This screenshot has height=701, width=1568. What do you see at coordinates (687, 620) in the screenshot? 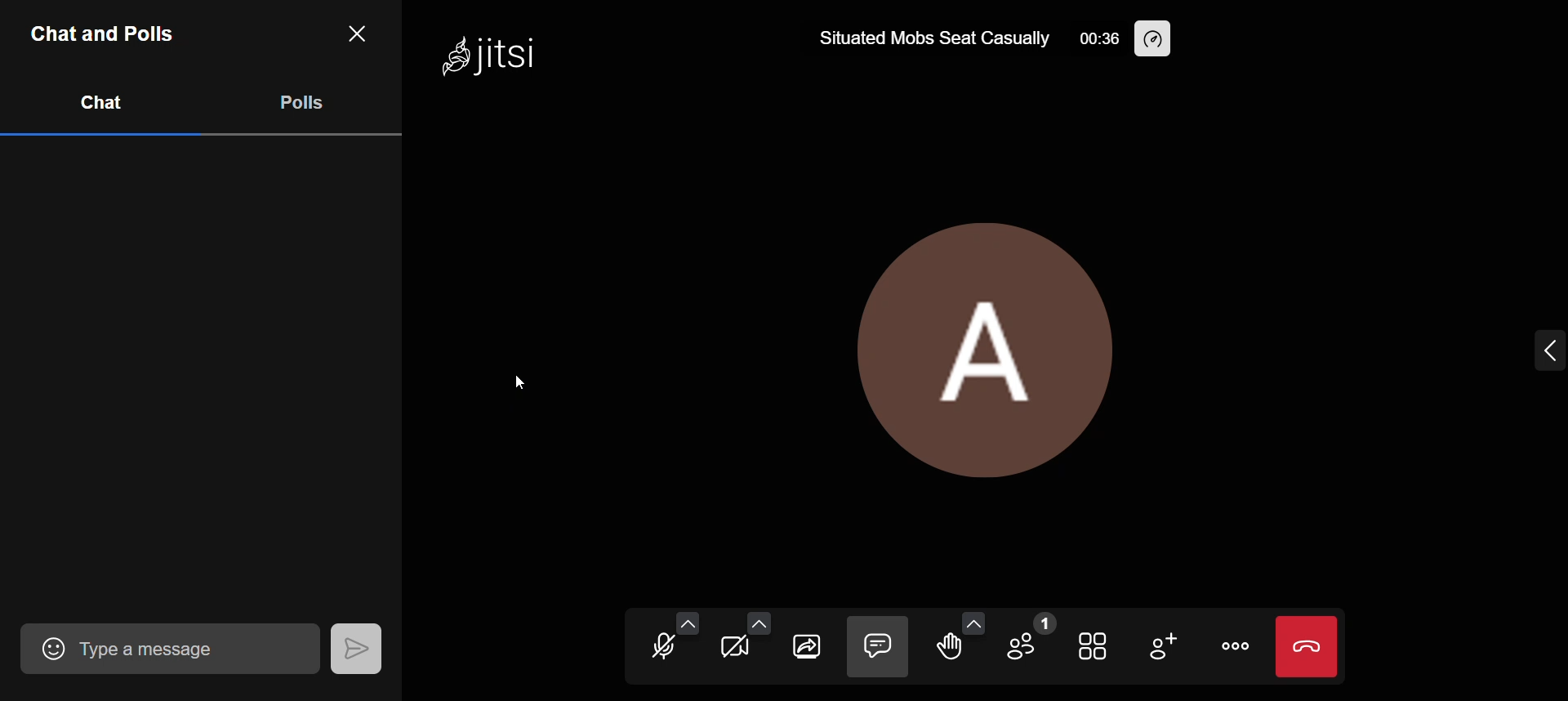
I see `audio setting` at bounding box center [687, 620].